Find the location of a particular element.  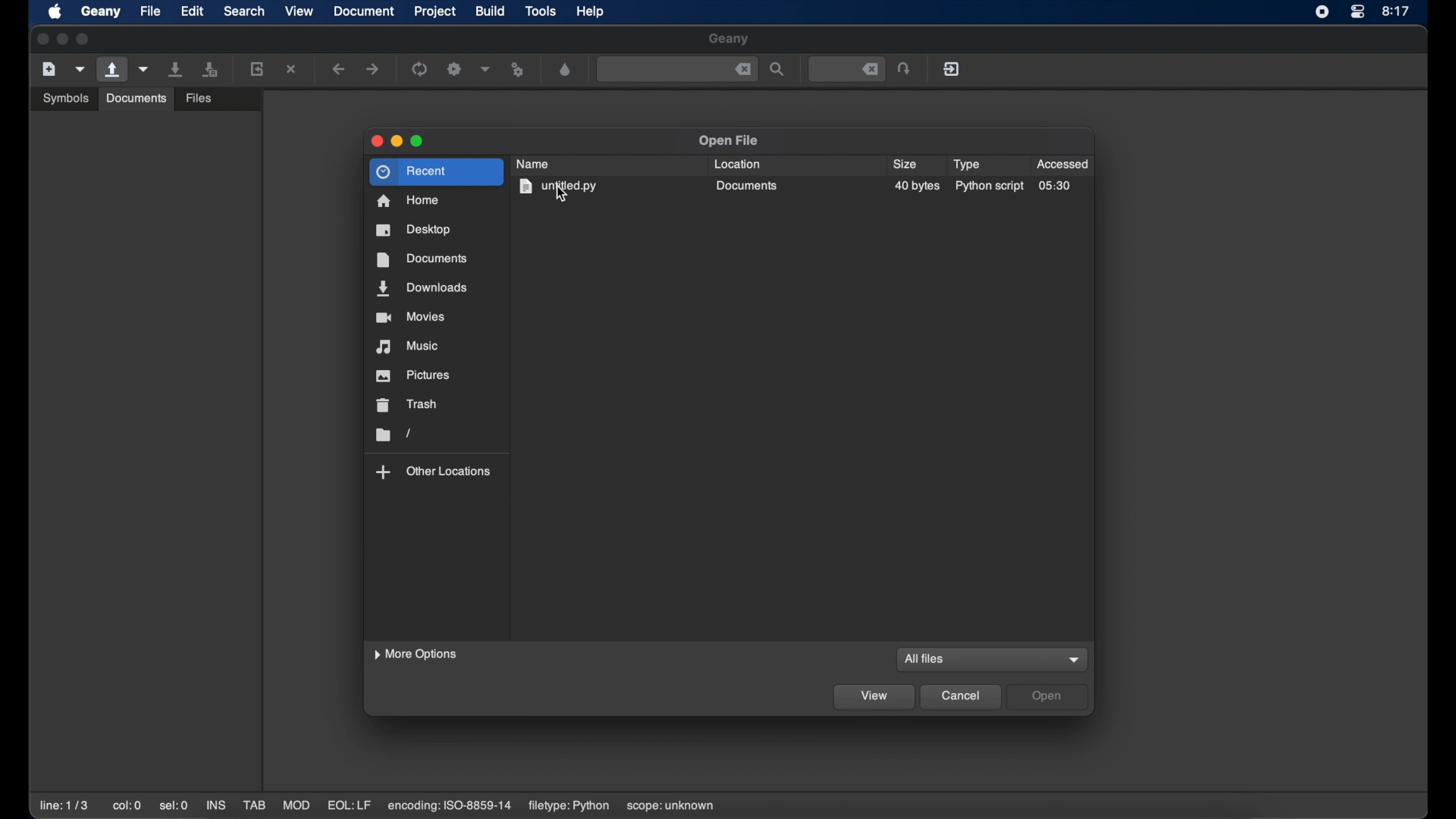

compile the current file is located at coordinates (419, 69).